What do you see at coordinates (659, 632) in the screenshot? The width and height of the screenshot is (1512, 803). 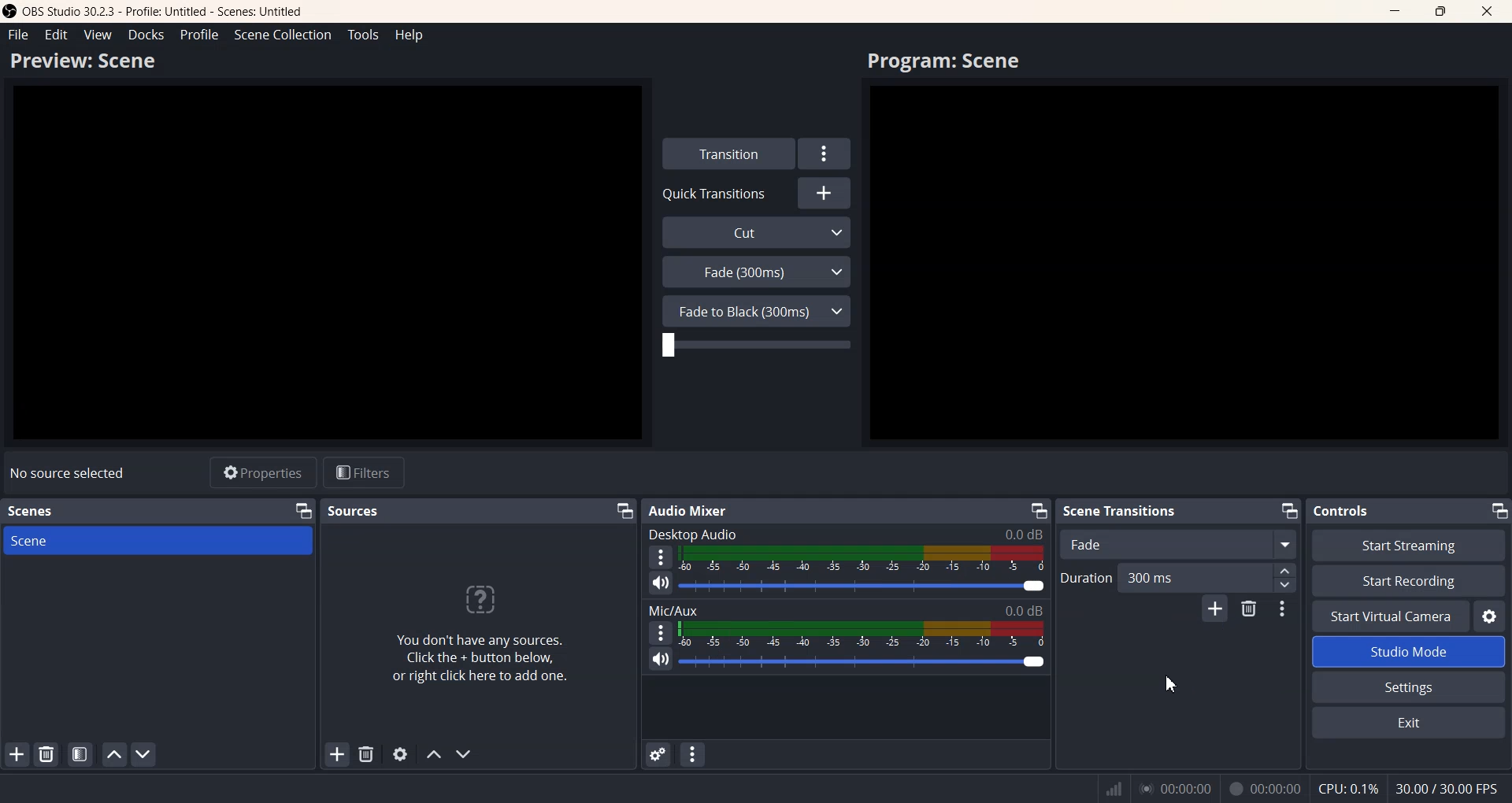 I see `More` at bounding box center [659, 632].